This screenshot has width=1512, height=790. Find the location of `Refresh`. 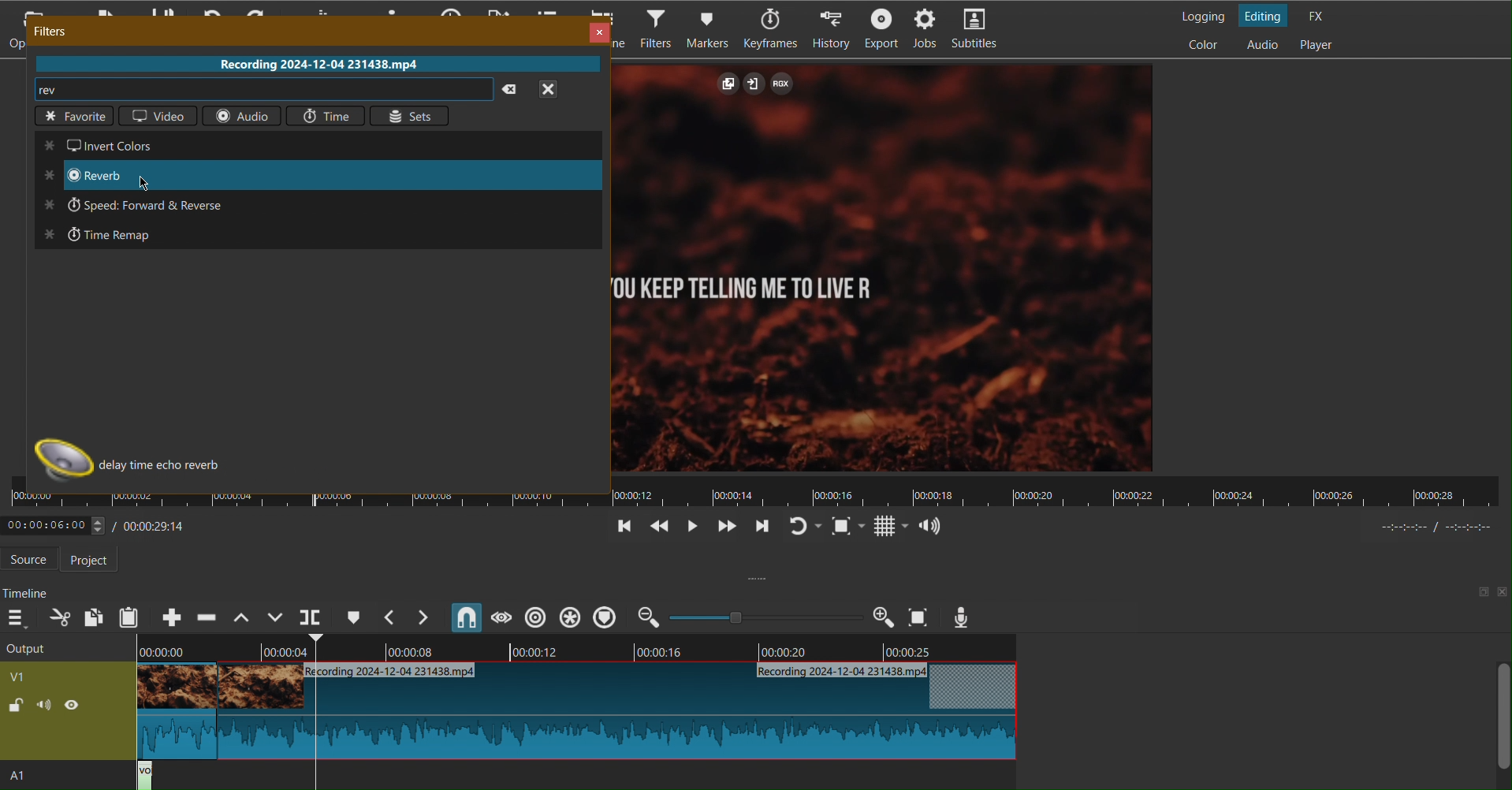

Refresh is located at coordinates (805, 527).